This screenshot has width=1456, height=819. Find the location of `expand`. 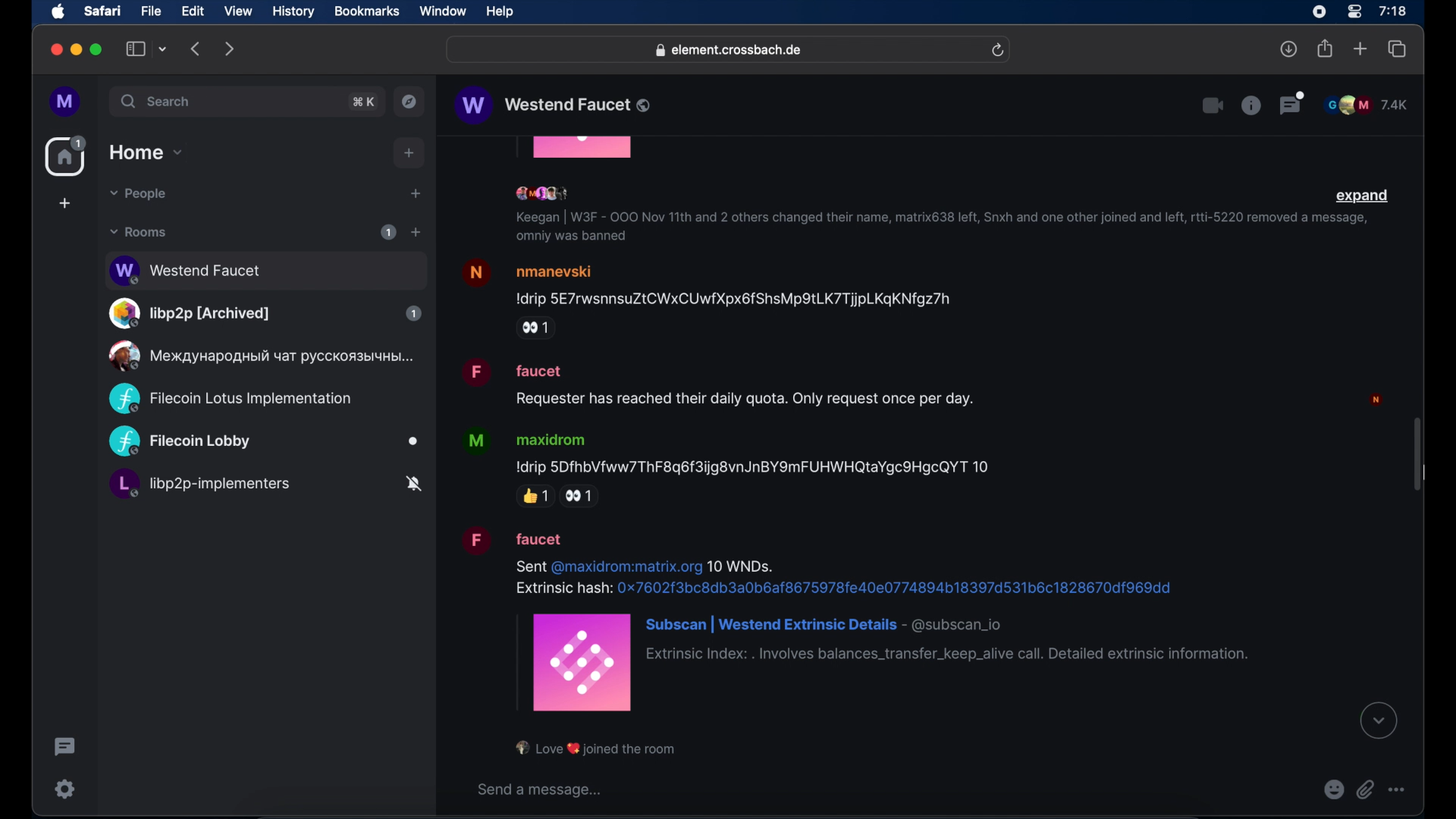

expand is located at coordinates (1363, 196).